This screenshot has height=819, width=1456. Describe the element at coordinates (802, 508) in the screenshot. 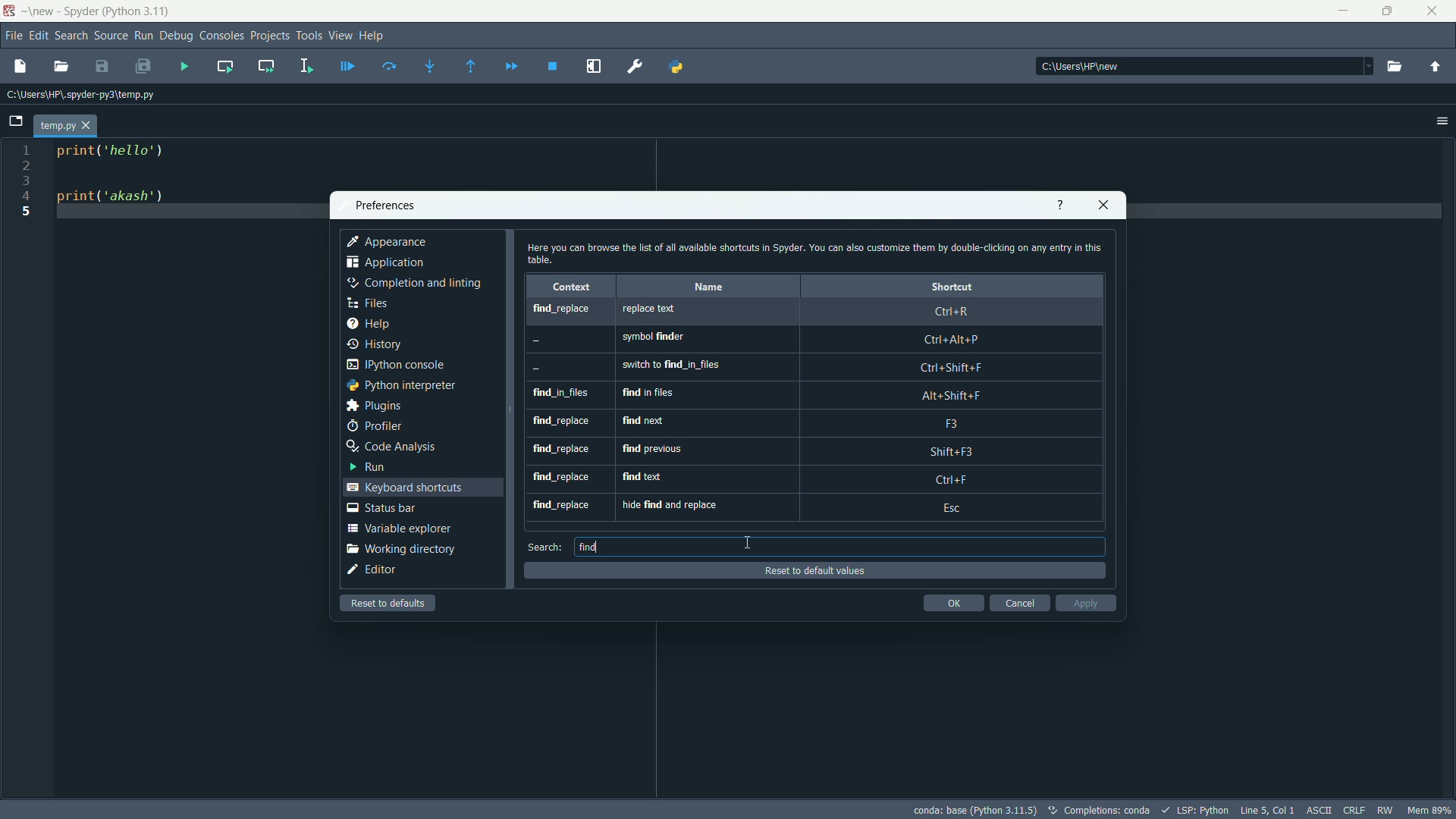

I see `find_replace, hide find and replace, Esc` at that location.